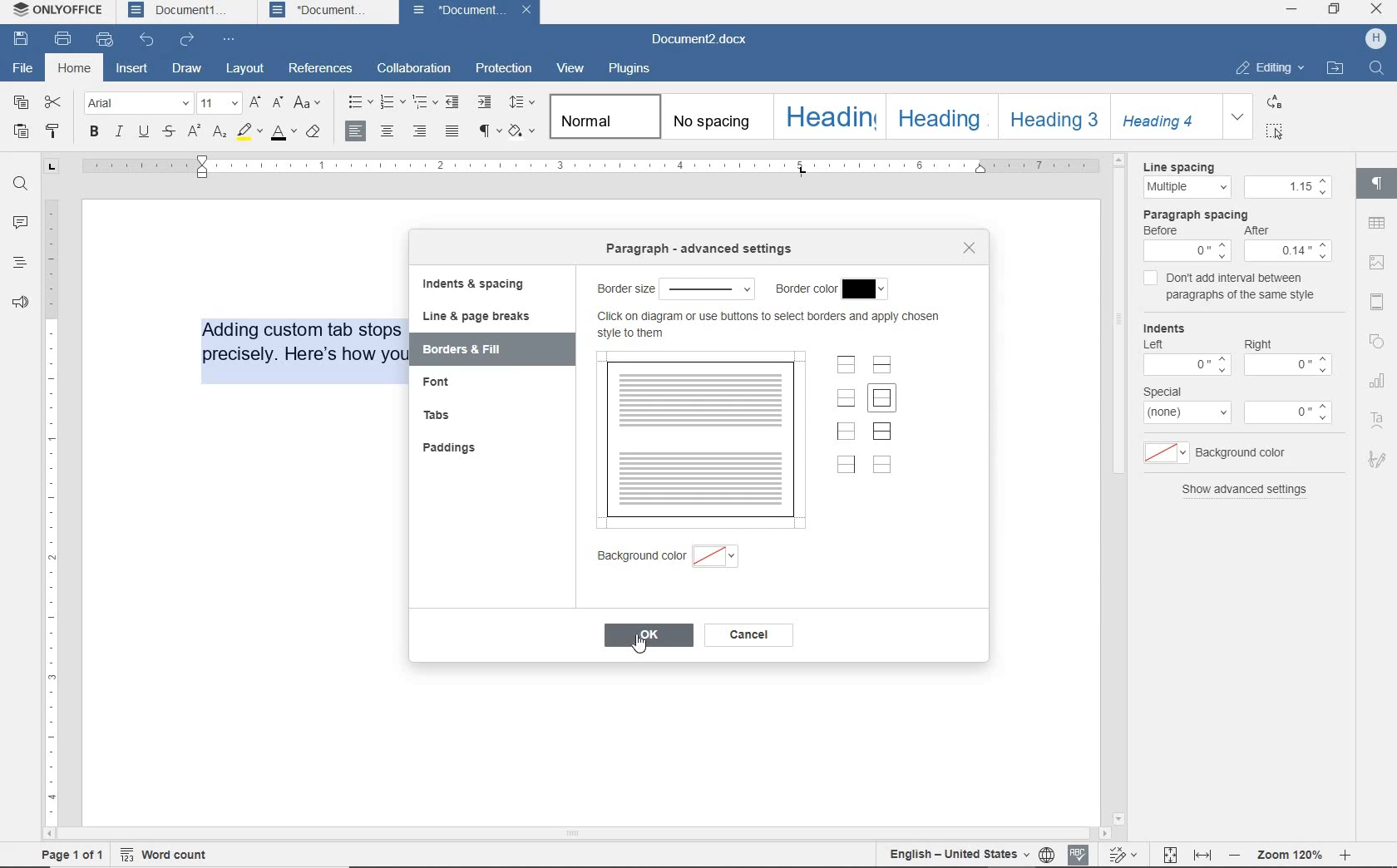  What do you see at coordinates (24, 68) in the screenshot?
I see `file` at bounding box center [24, 68].